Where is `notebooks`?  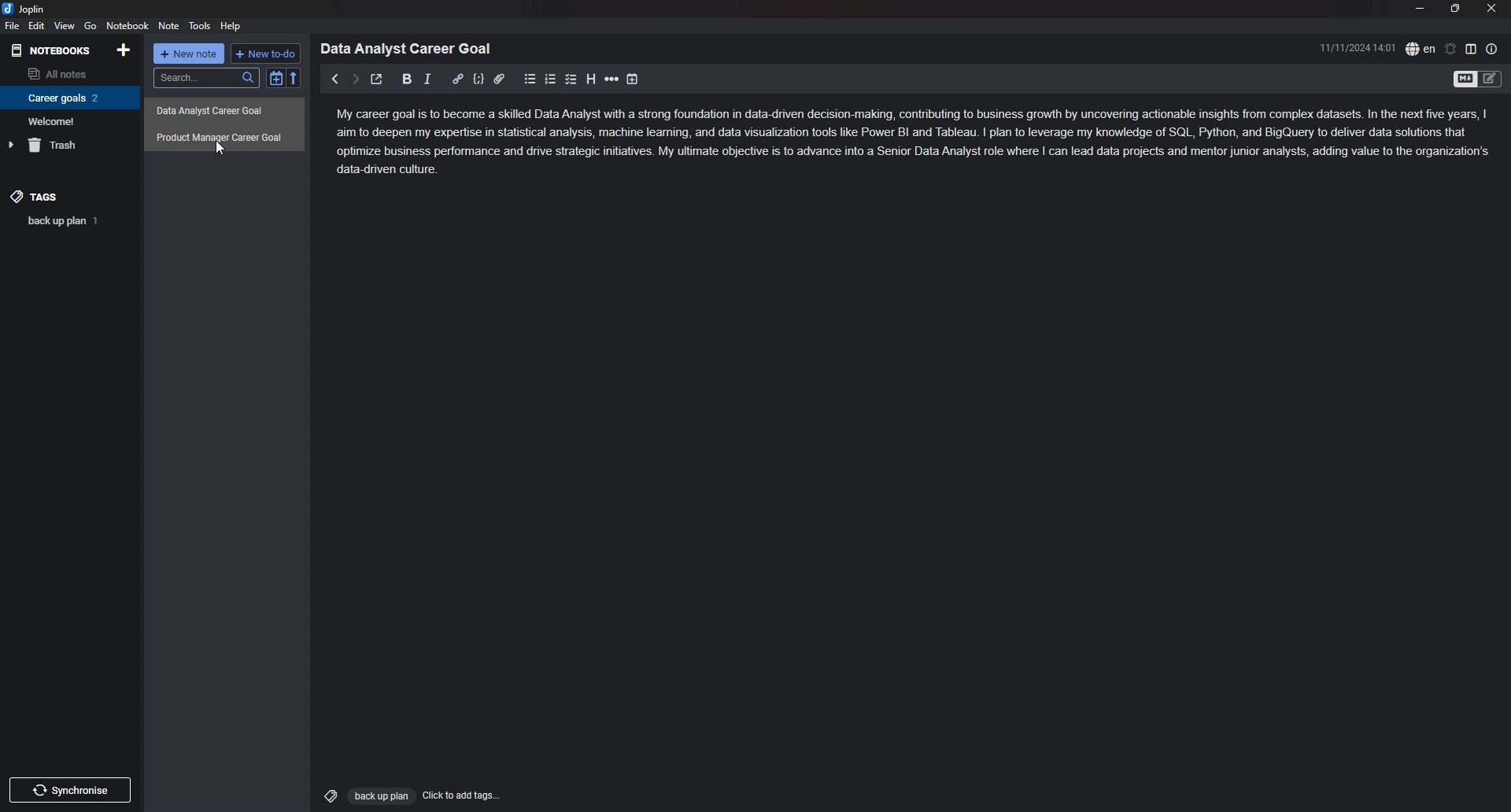 notebooks is located at coordinates (53, 51).